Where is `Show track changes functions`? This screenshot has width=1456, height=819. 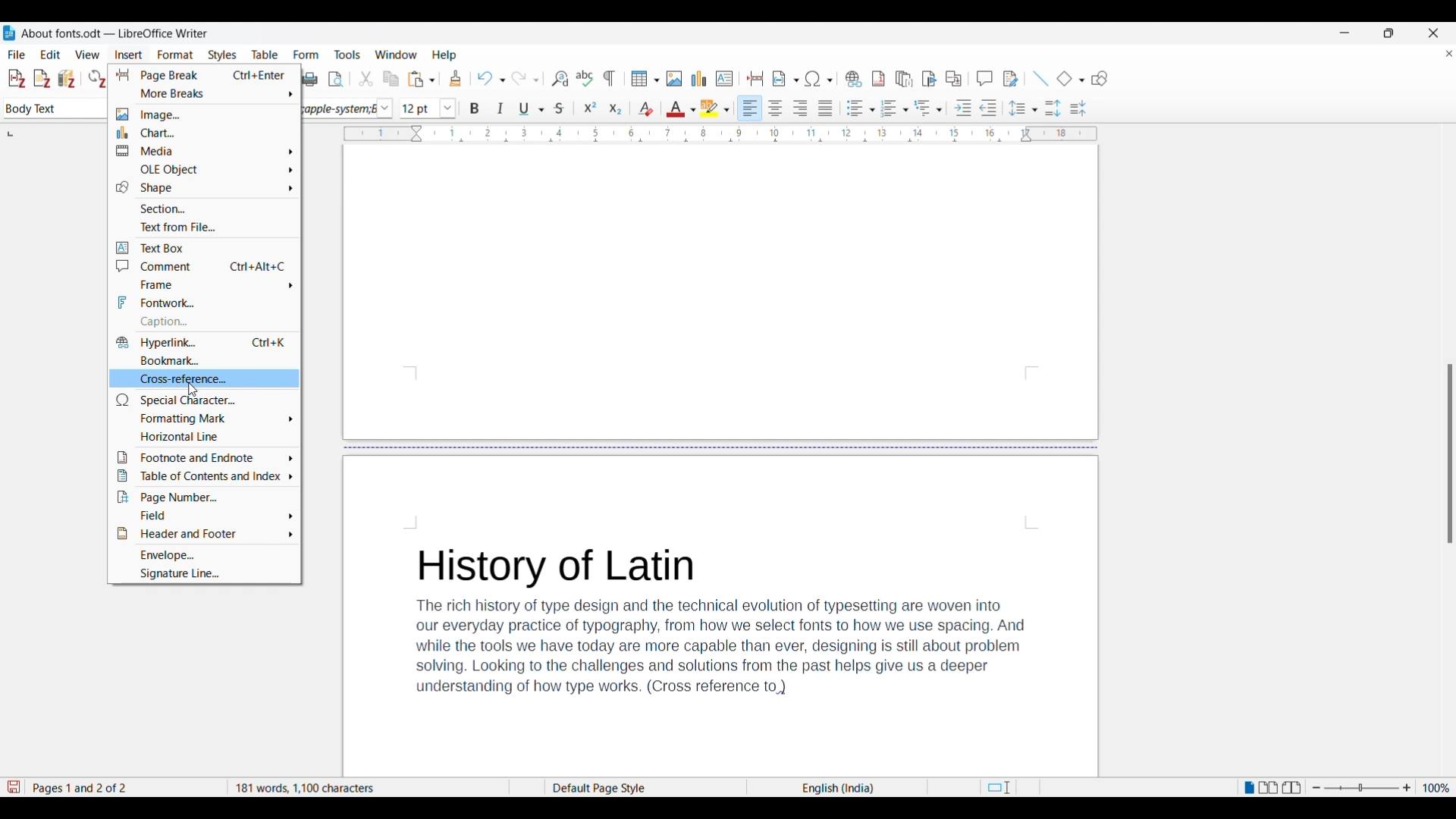
Show track changes functions is located at coordinates (1010, 79).